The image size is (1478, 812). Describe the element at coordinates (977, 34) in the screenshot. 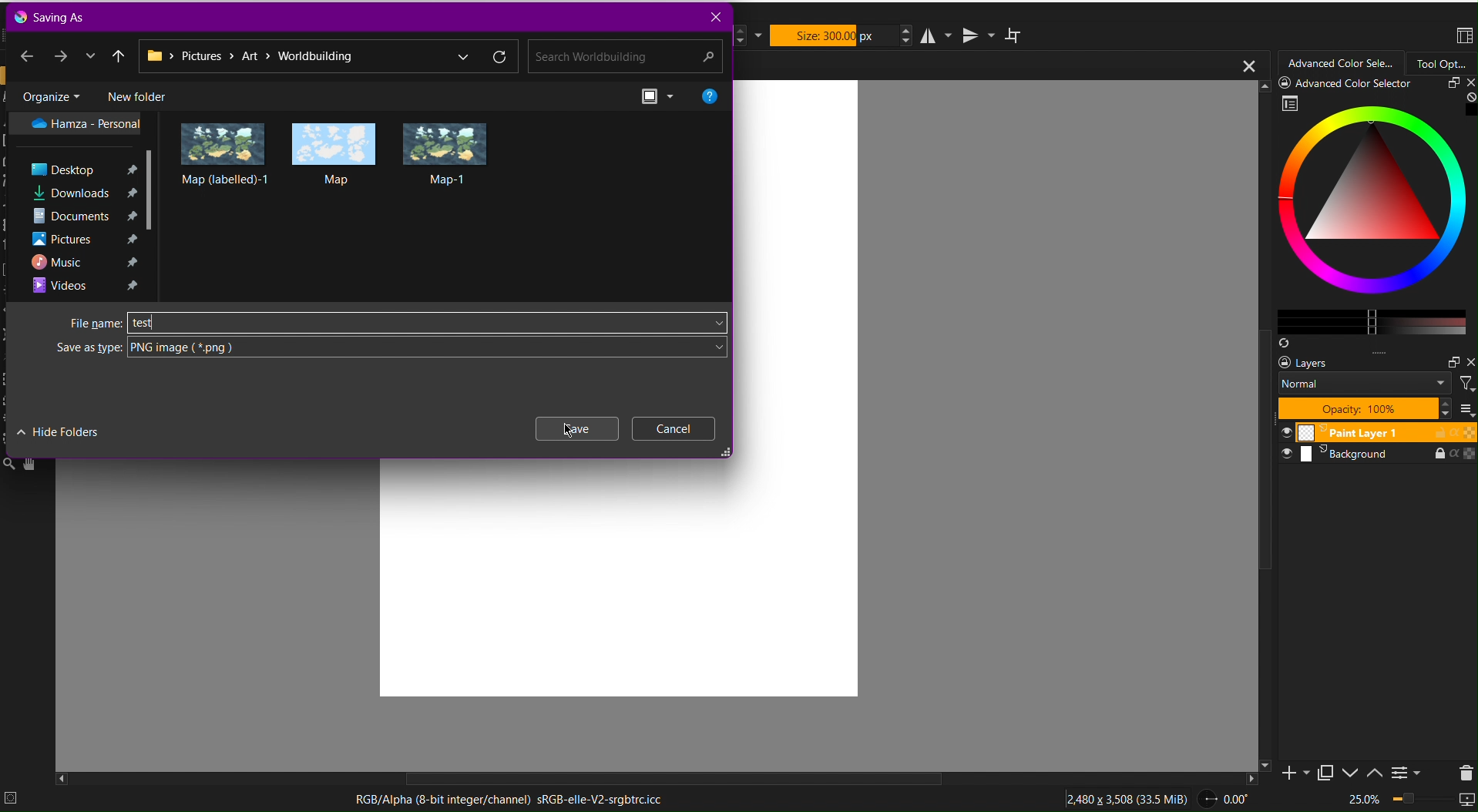

I see `Vertical Mirror` at that location.